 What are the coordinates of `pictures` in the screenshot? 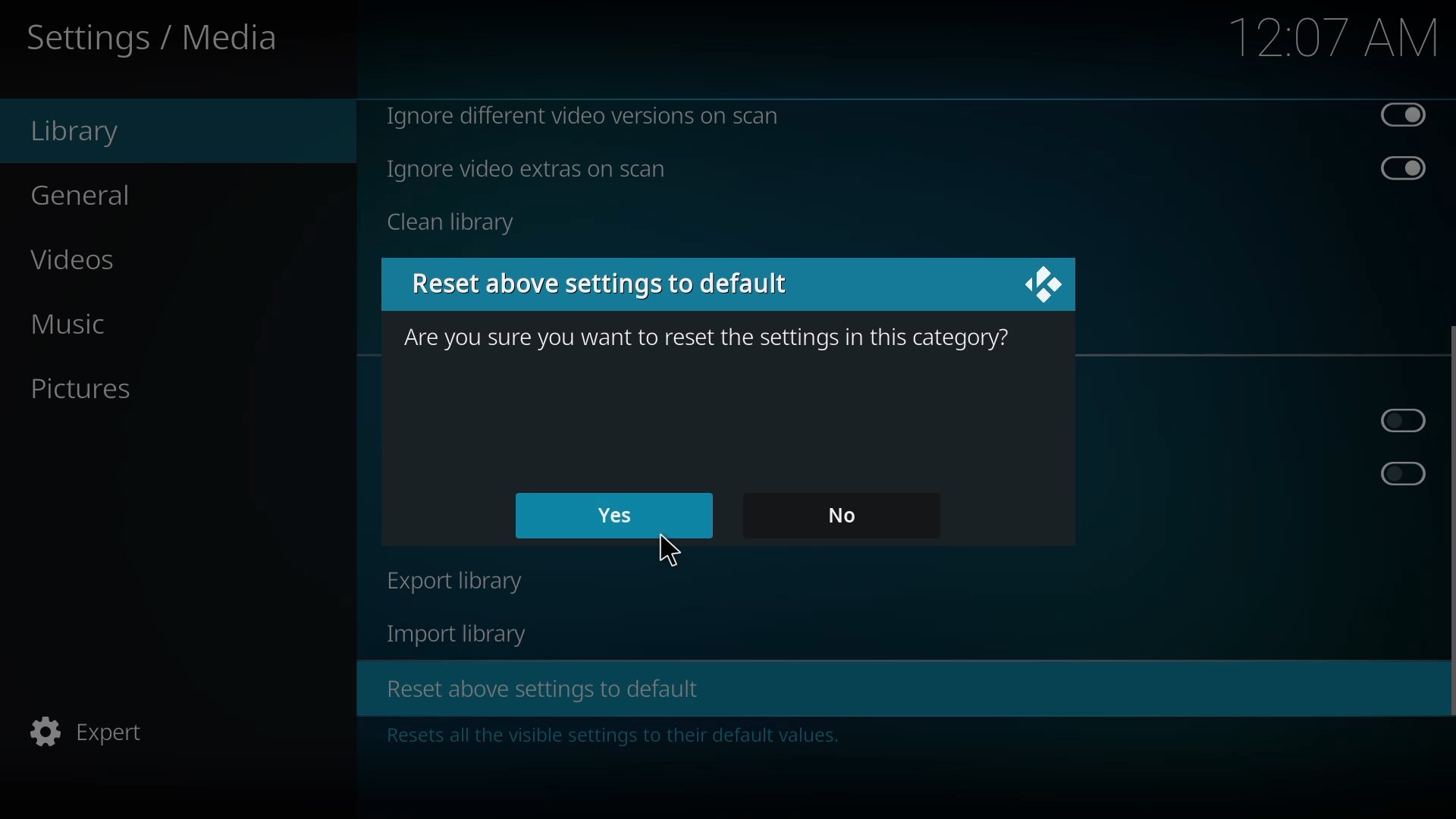 It's located at (78, 388).